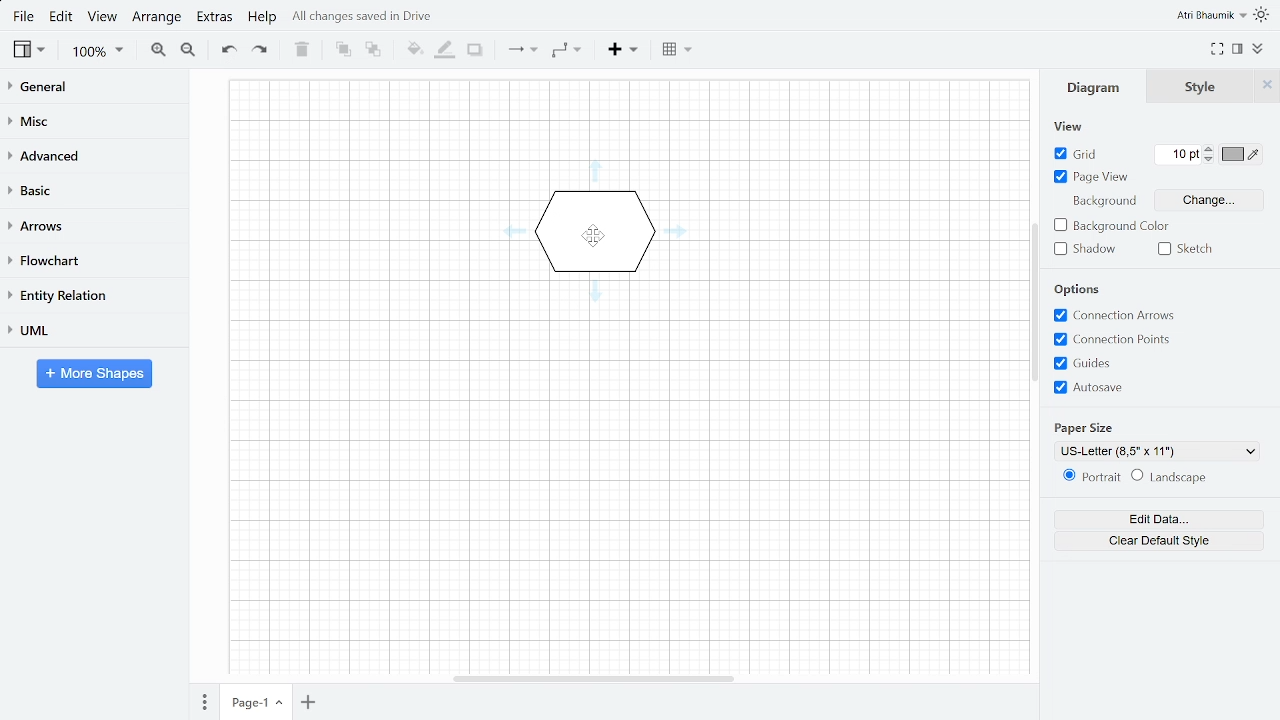 This screenshot has height=720, width=1280. What do you see at coordinates (266, 17) in the screenshot?
I see `Help` at bounding box center [266, 17].